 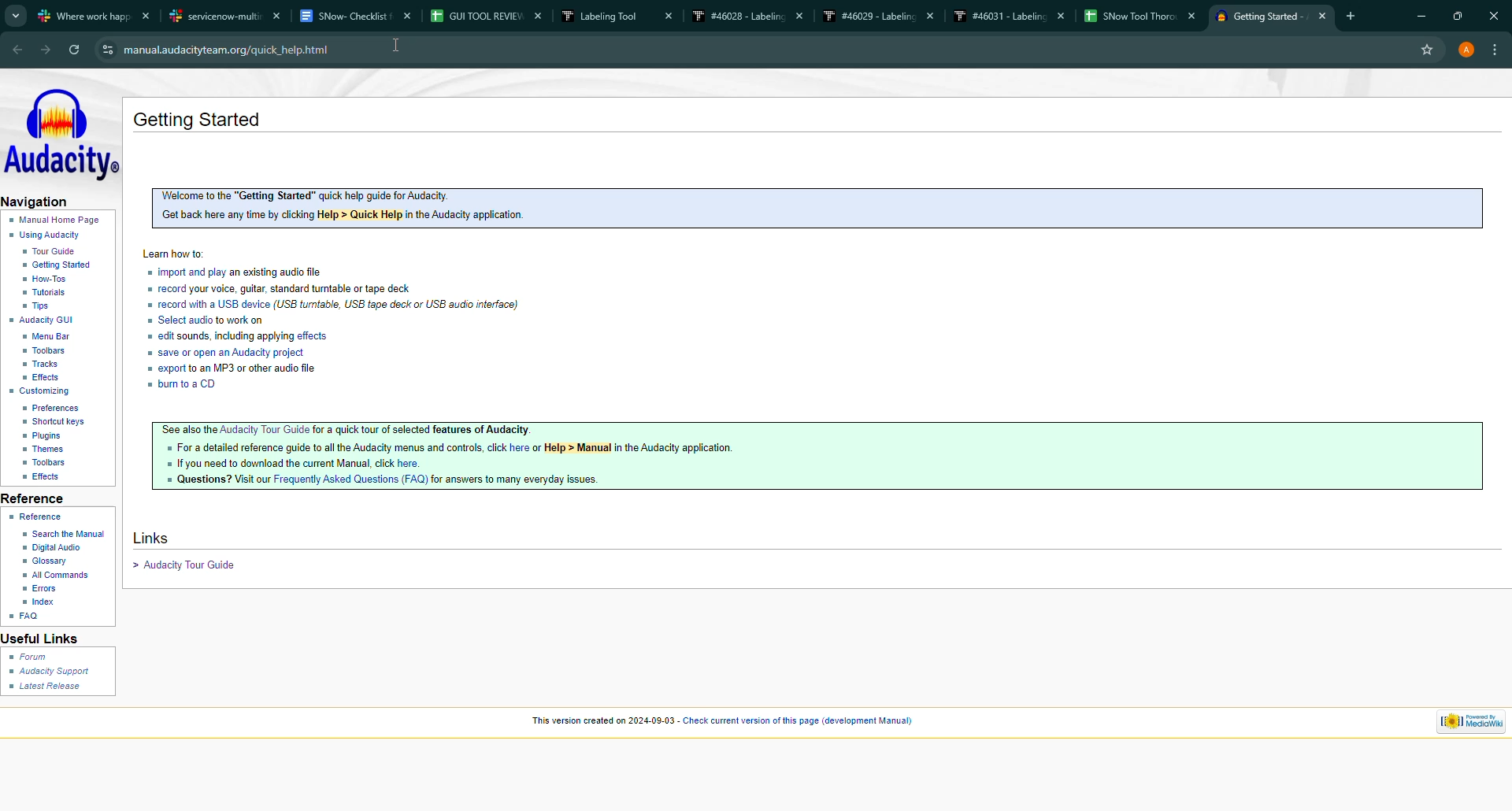 What do you see at coordinates (181, 385) in the screenshot?
I see `burn to a CD` at bounding box center [181, 385].